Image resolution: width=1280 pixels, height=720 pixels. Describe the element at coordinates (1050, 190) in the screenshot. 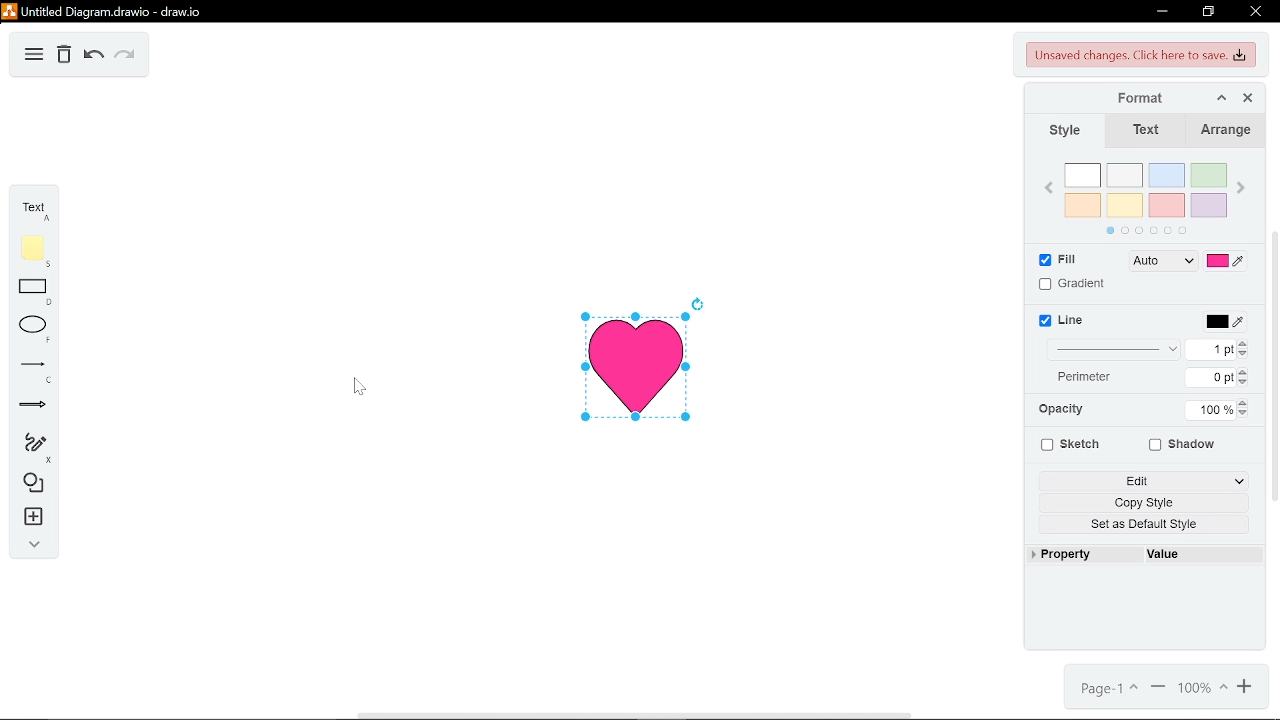

I see `previous` at that location.